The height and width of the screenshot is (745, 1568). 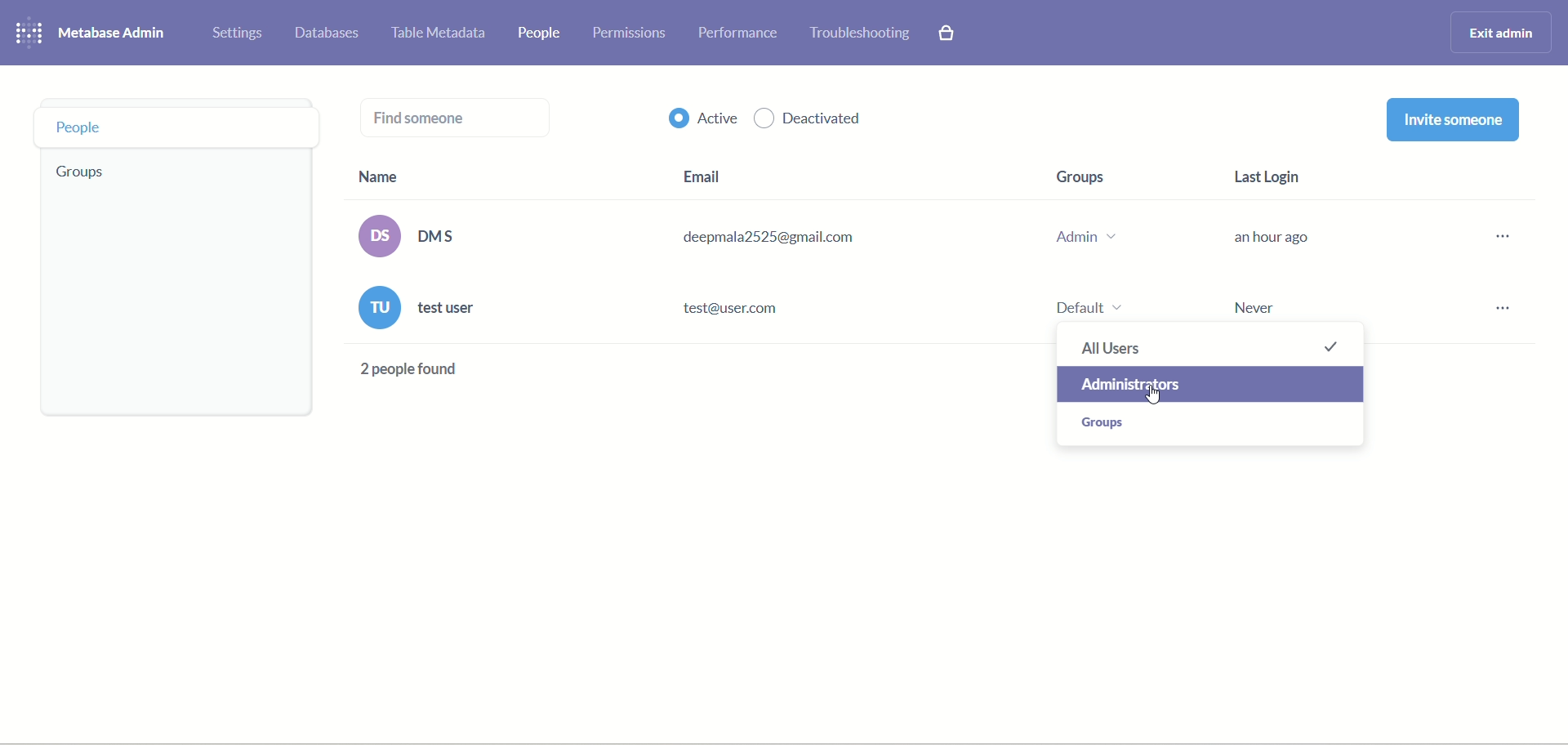 What do you see at coordinates (1334, 344) in the screenshot?
I see `checked` at bounding box center [1334, 344].